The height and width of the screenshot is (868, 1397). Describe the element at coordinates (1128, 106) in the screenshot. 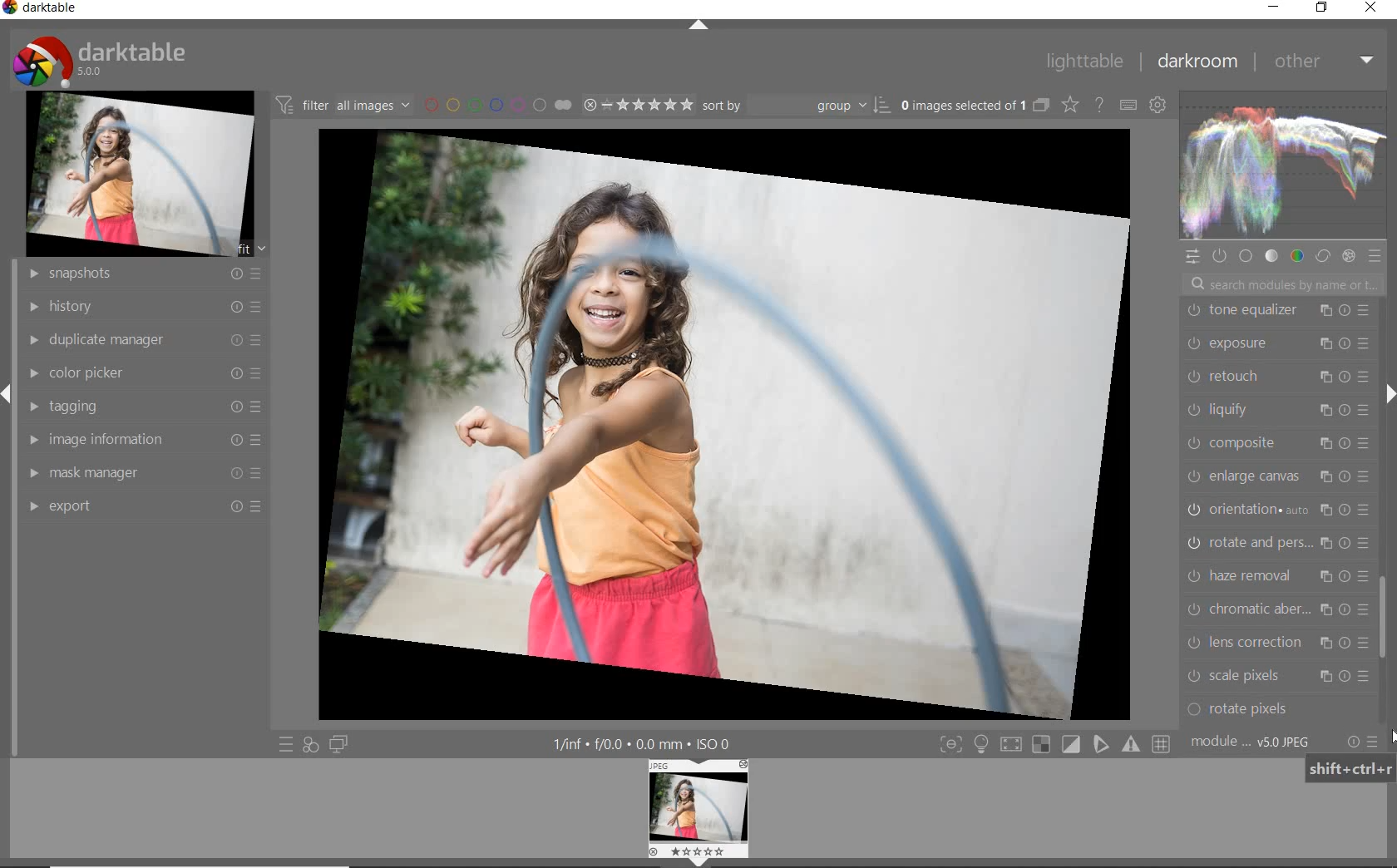

I see `define keyboard shortcut` at that location.